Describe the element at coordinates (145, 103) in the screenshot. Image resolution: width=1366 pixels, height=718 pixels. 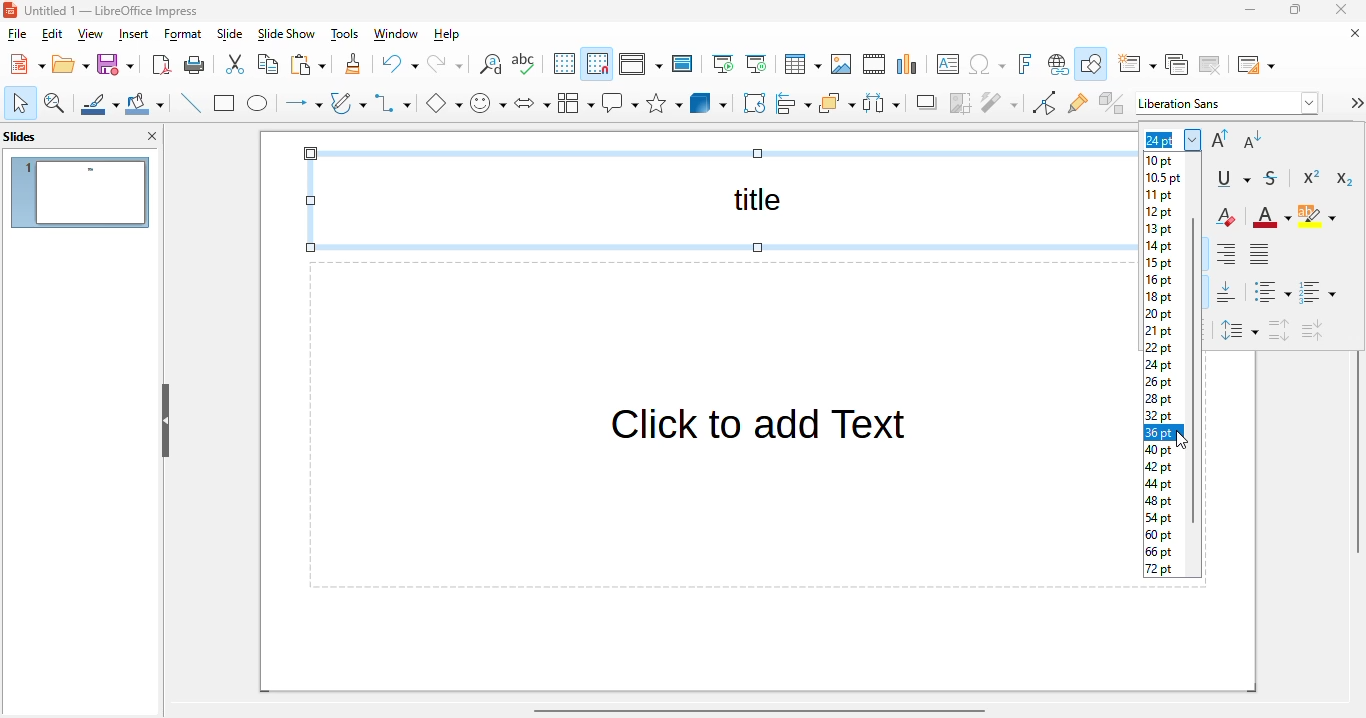
I see `fill color` at that location.